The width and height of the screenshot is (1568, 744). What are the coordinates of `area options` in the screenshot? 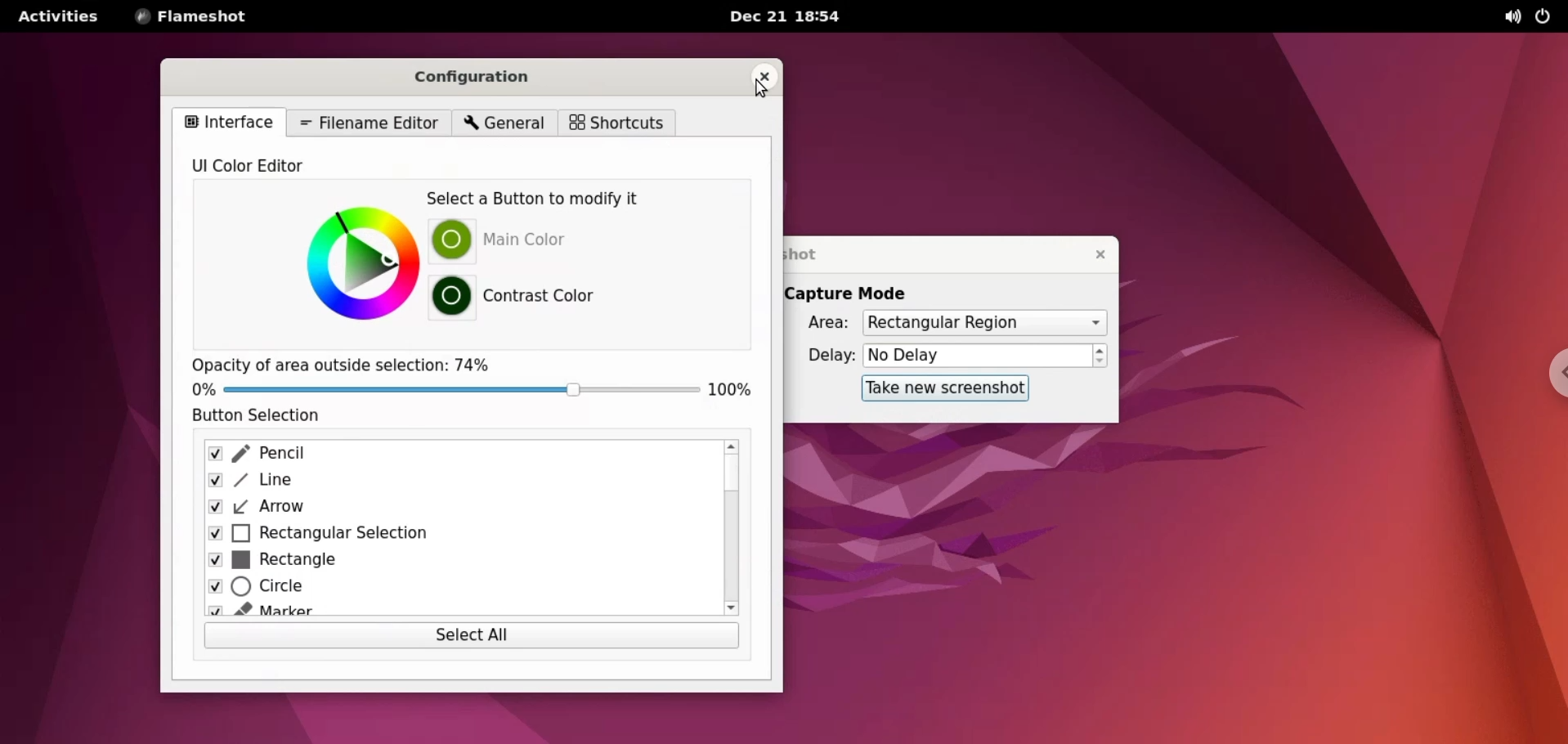 It's located at (984, 324).